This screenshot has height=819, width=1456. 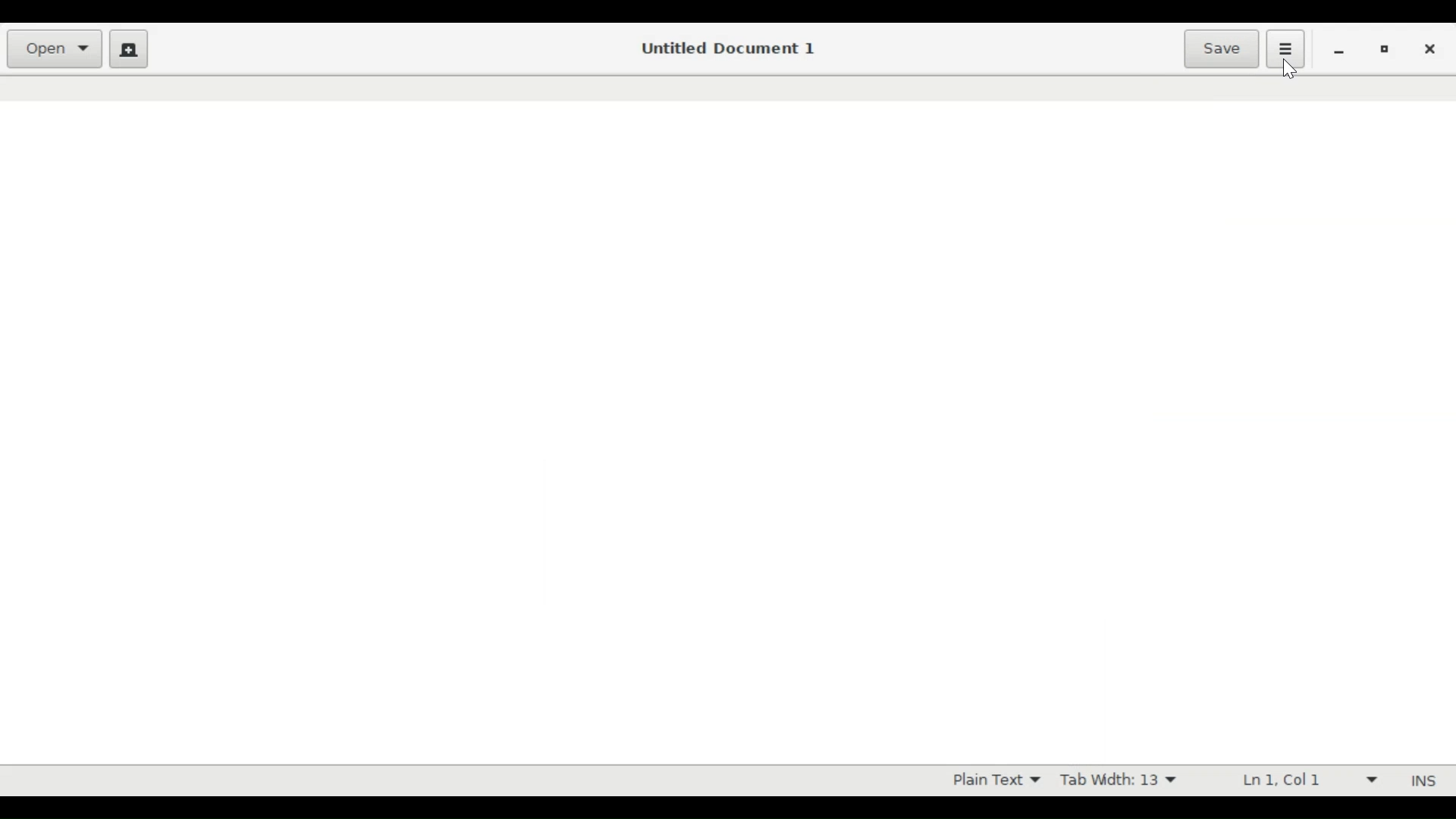 What do you see at coordinates (993, 779) in the screenshot?
I see `Plain Text` at bounding box center [993, 779].